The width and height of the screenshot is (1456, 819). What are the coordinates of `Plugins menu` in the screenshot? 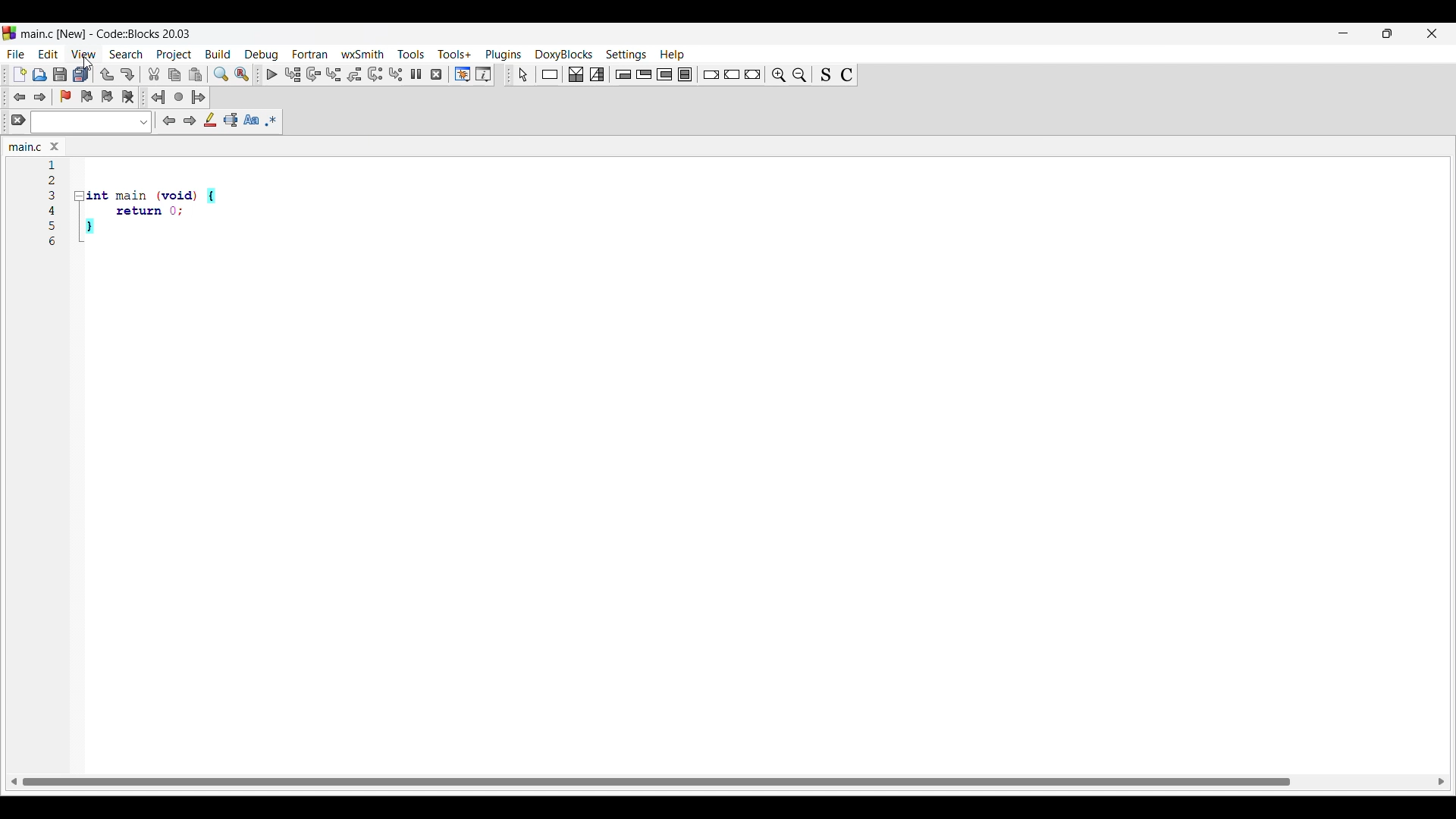 It's located at (504, 55).